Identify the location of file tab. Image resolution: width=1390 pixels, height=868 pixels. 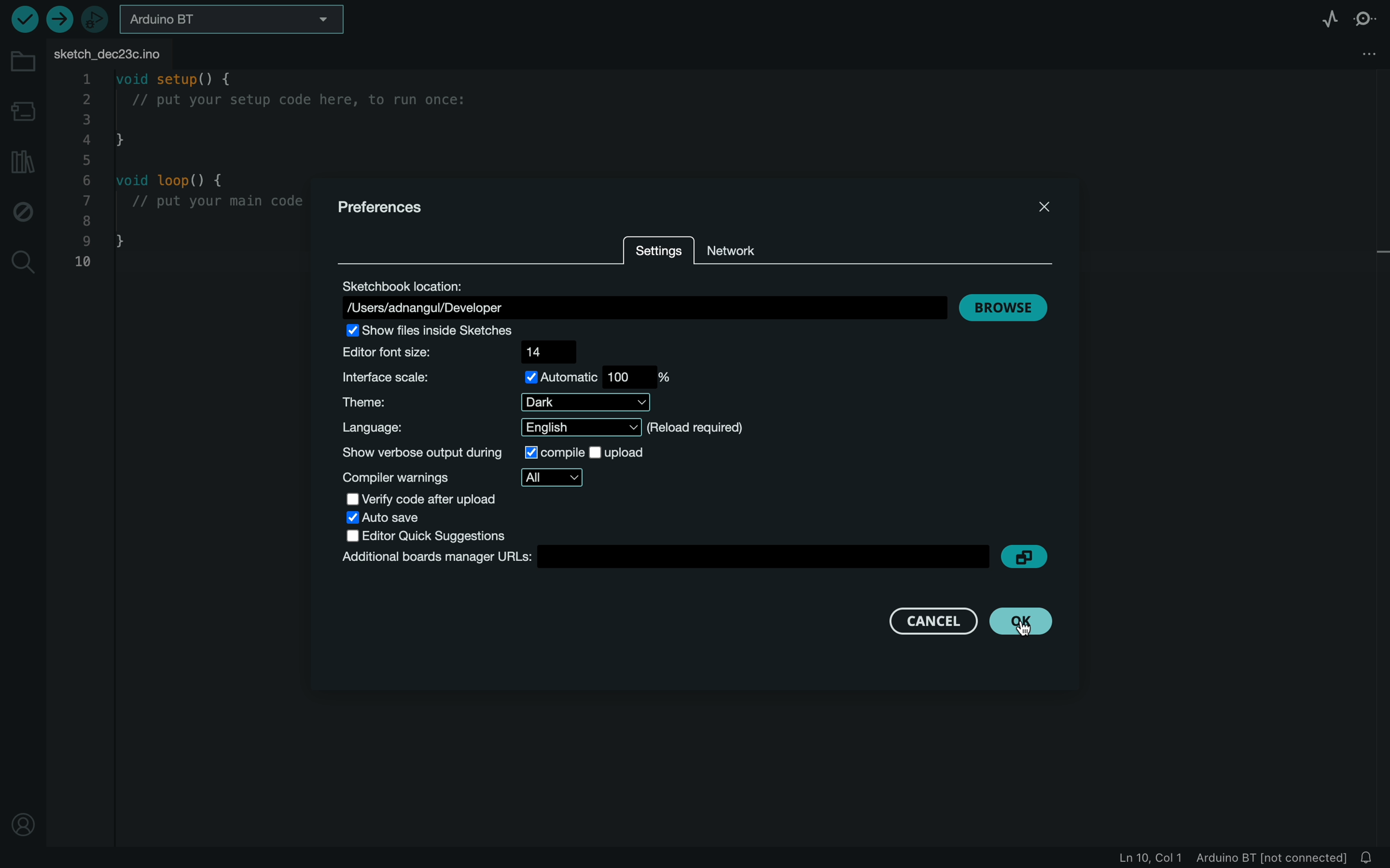
(116, 52).